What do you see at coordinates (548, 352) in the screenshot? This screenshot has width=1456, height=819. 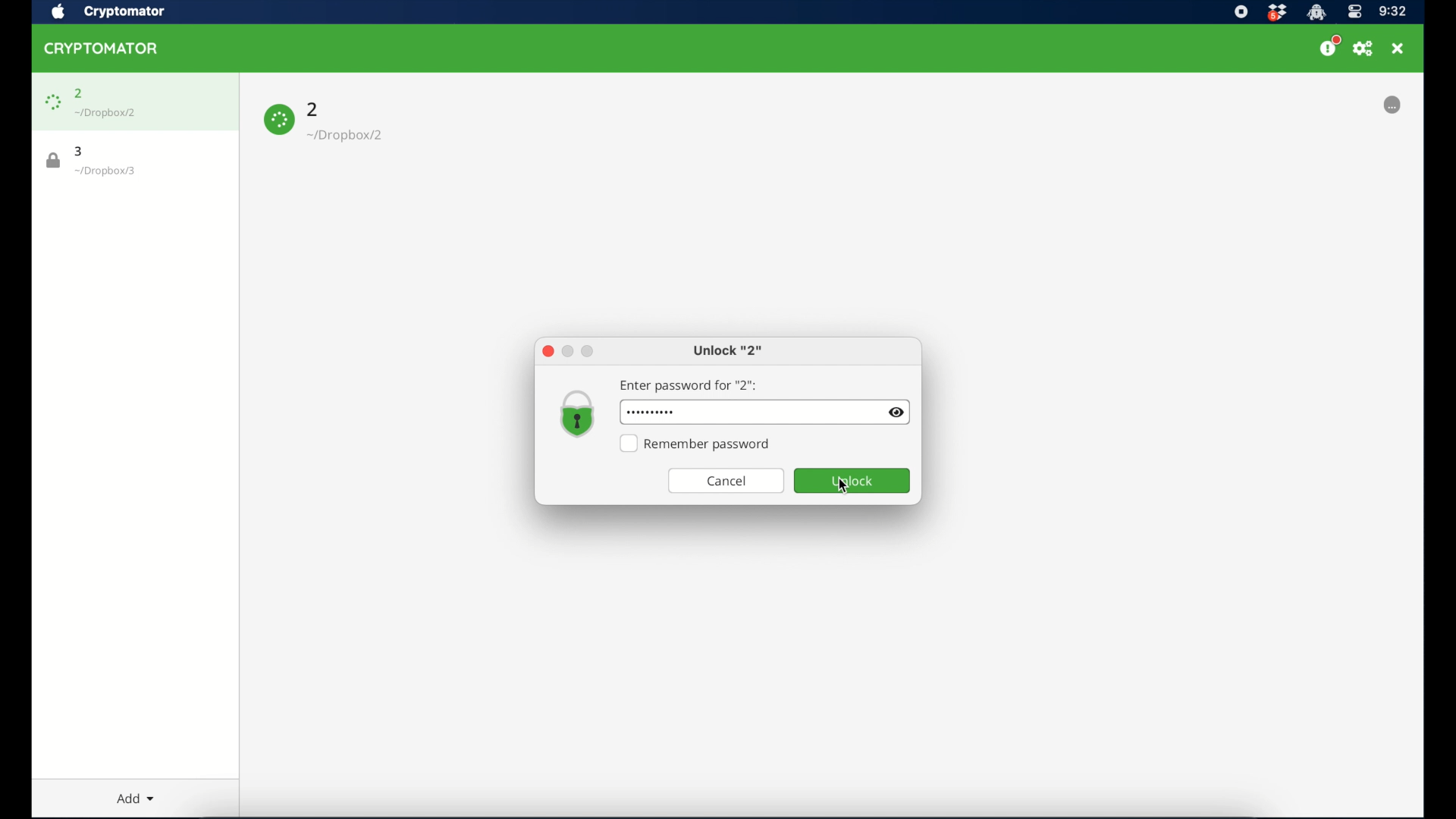 I see `close` at bounding box center [548, 352].